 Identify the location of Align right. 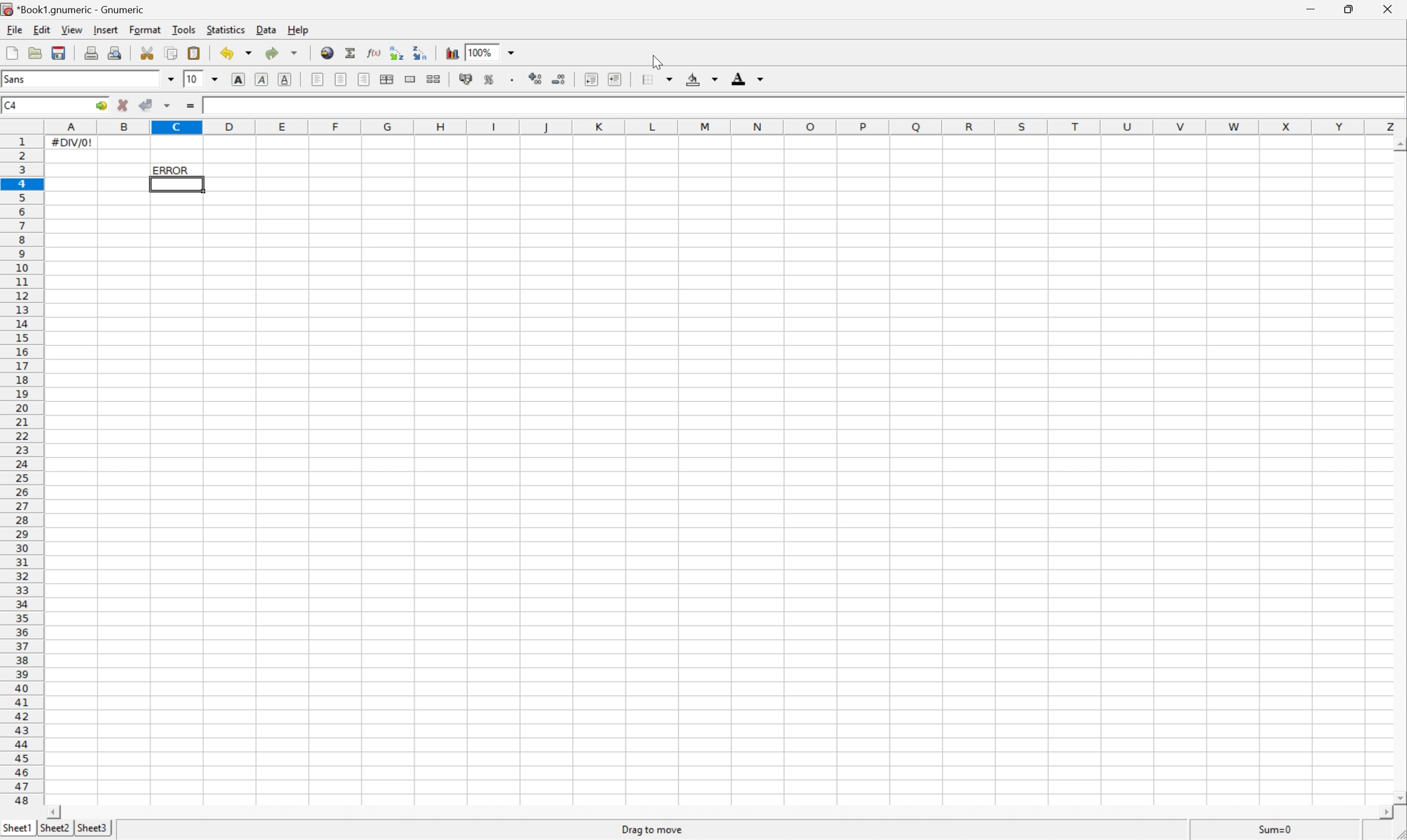
(366, 79).